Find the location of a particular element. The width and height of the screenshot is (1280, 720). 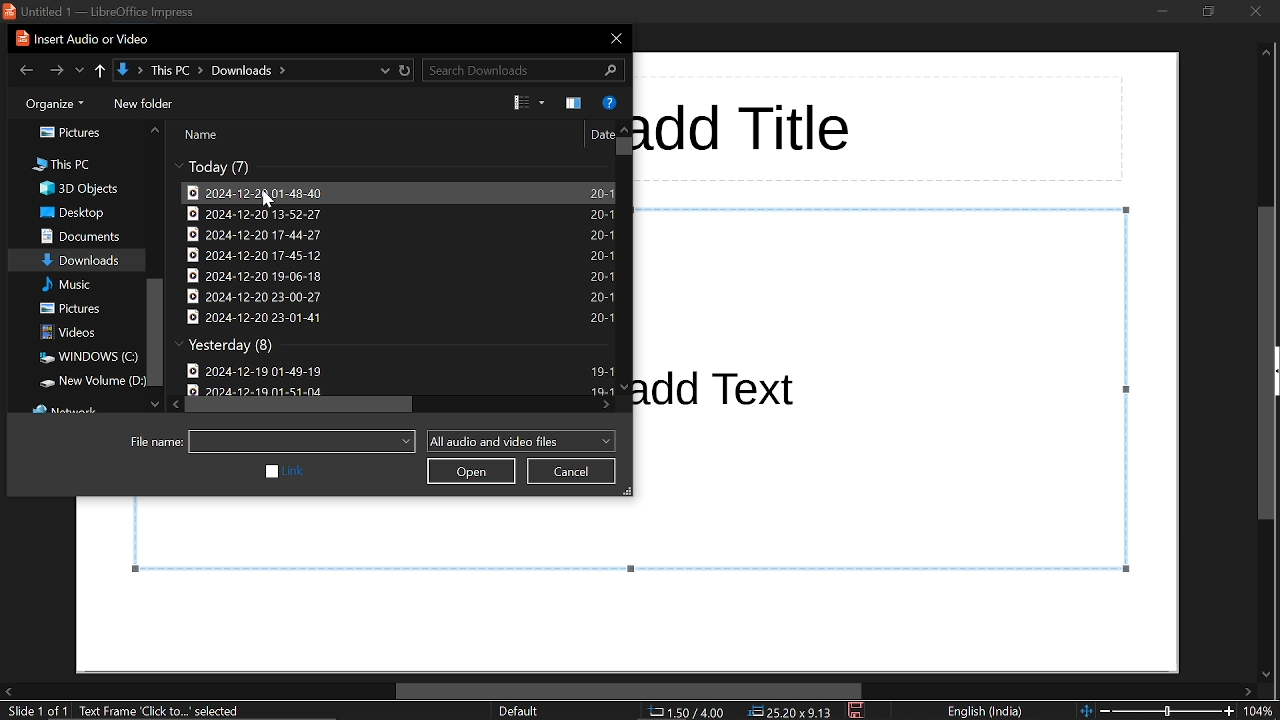

move left is located at coordinates (8, 692).